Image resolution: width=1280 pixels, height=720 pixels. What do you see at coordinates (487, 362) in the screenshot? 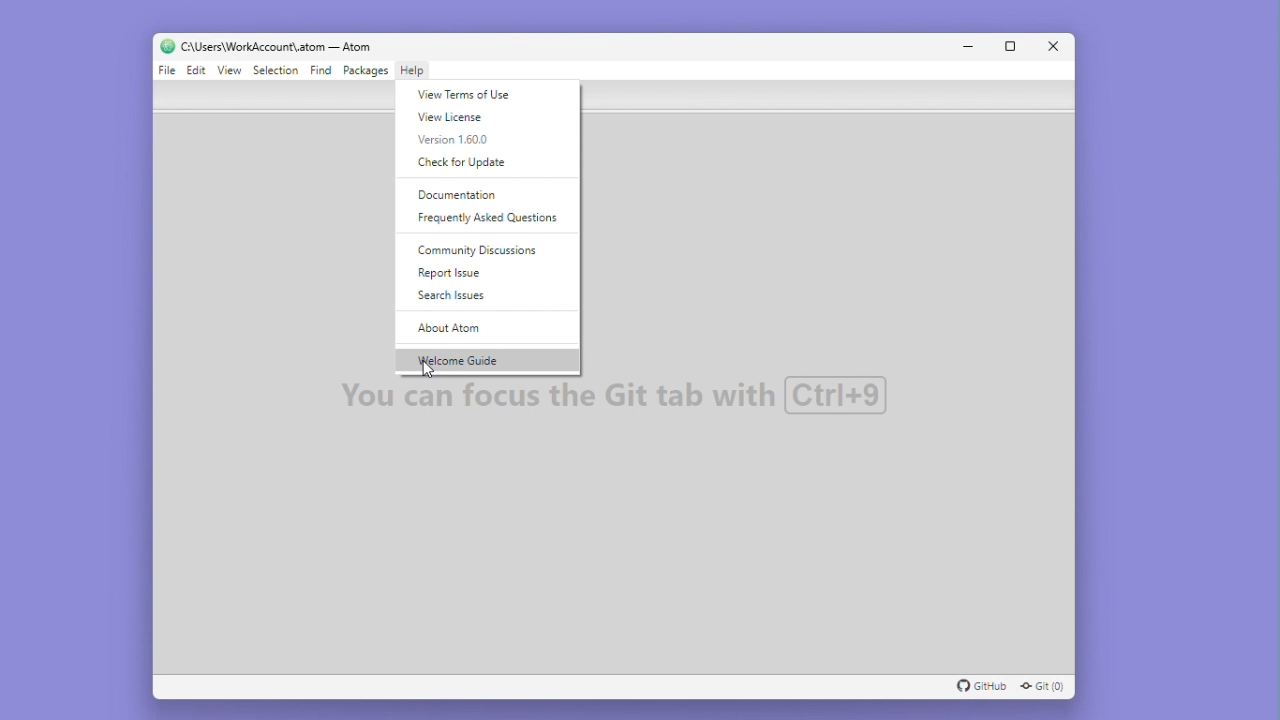
I see `Welcome guide` at bounding box center [487, 362].